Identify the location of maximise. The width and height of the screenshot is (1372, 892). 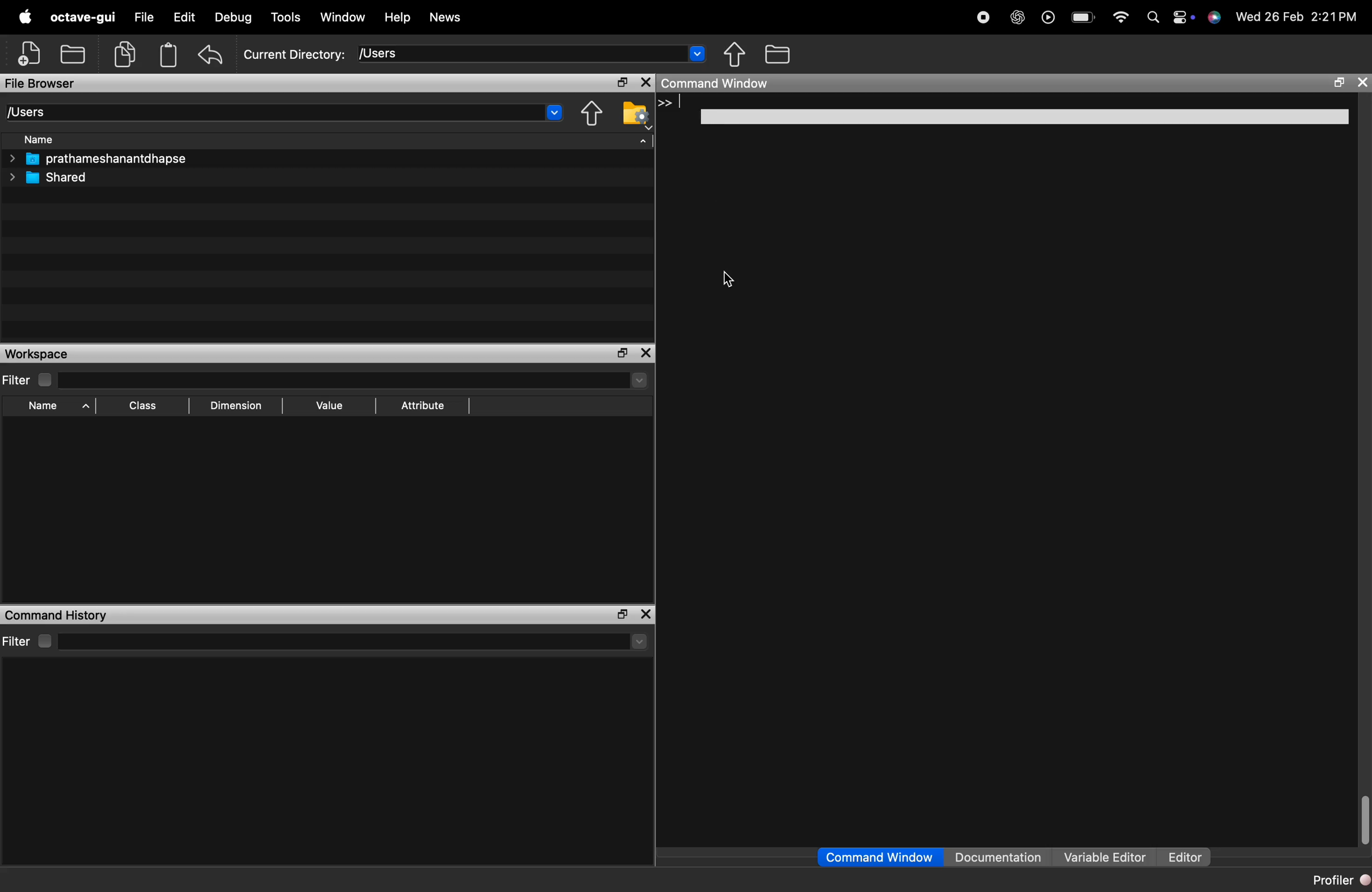
(615, 354).